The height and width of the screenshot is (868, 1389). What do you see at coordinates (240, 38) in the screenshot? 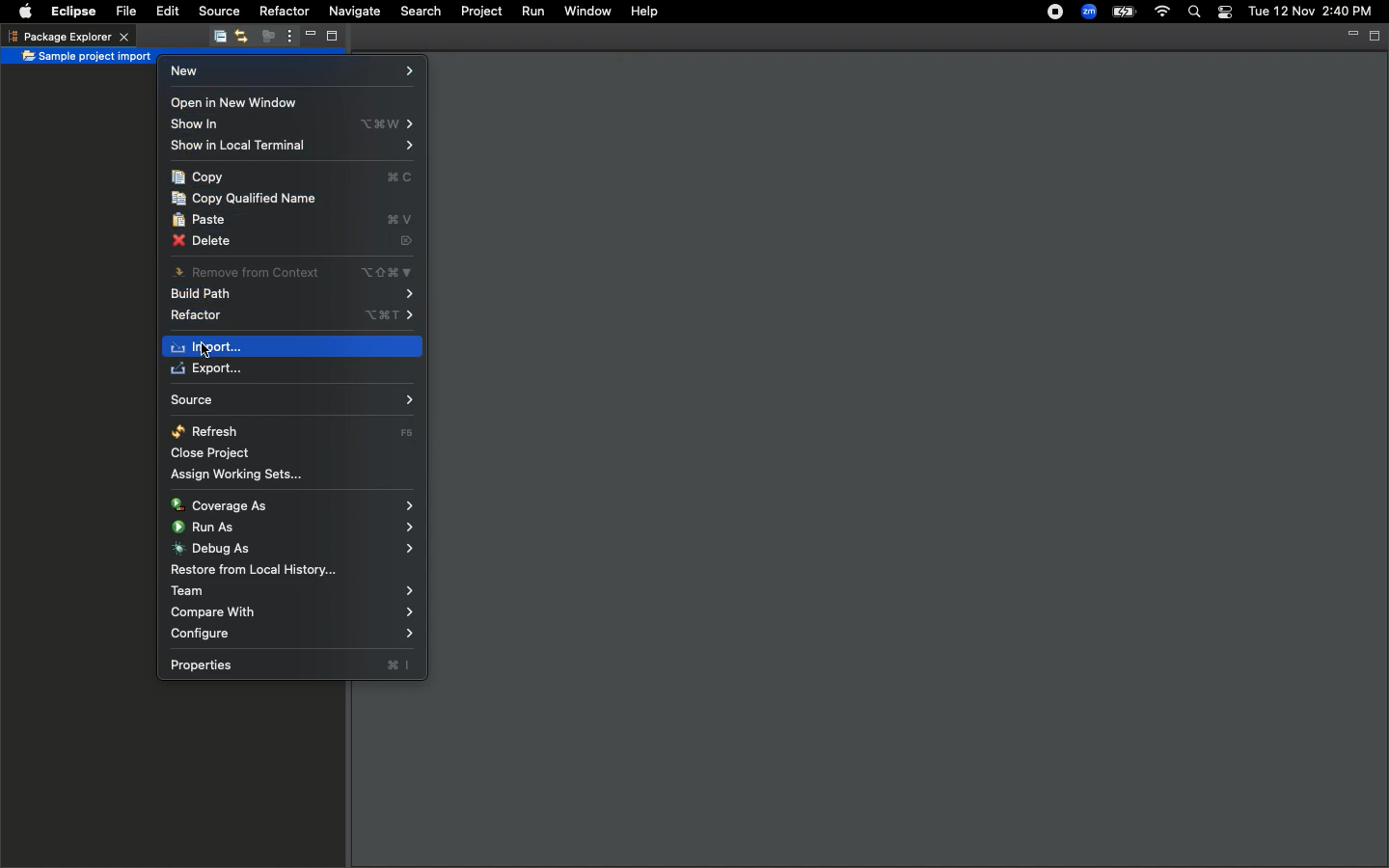
I see `Link with editor` at bounding box center [240, 38].